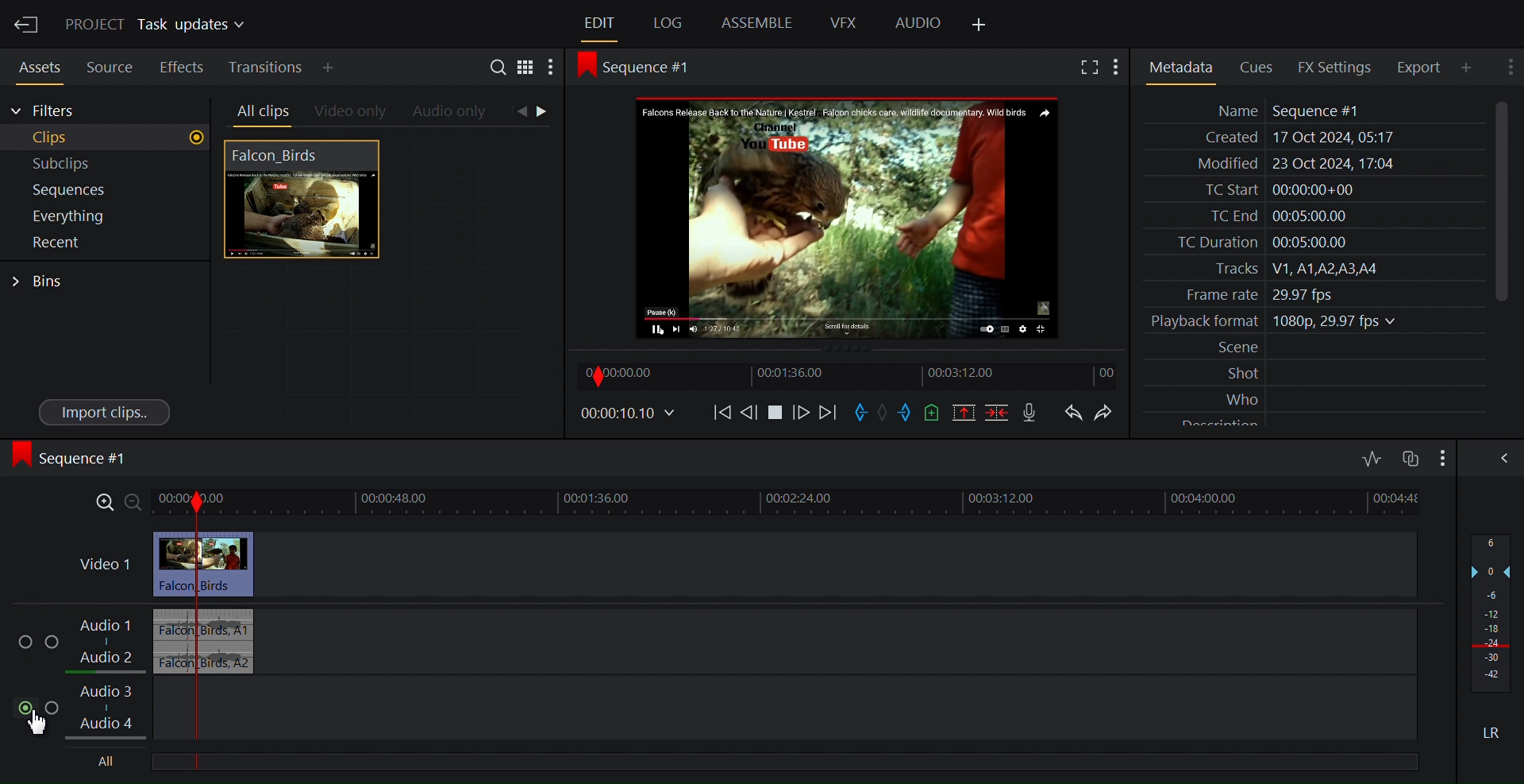 Image resolution: width=1524 pixels, height=784 pixels. What do you see at coordinates (1425, 67) in the screenshot?
I see `Export` at bounding box center [1425, 67].